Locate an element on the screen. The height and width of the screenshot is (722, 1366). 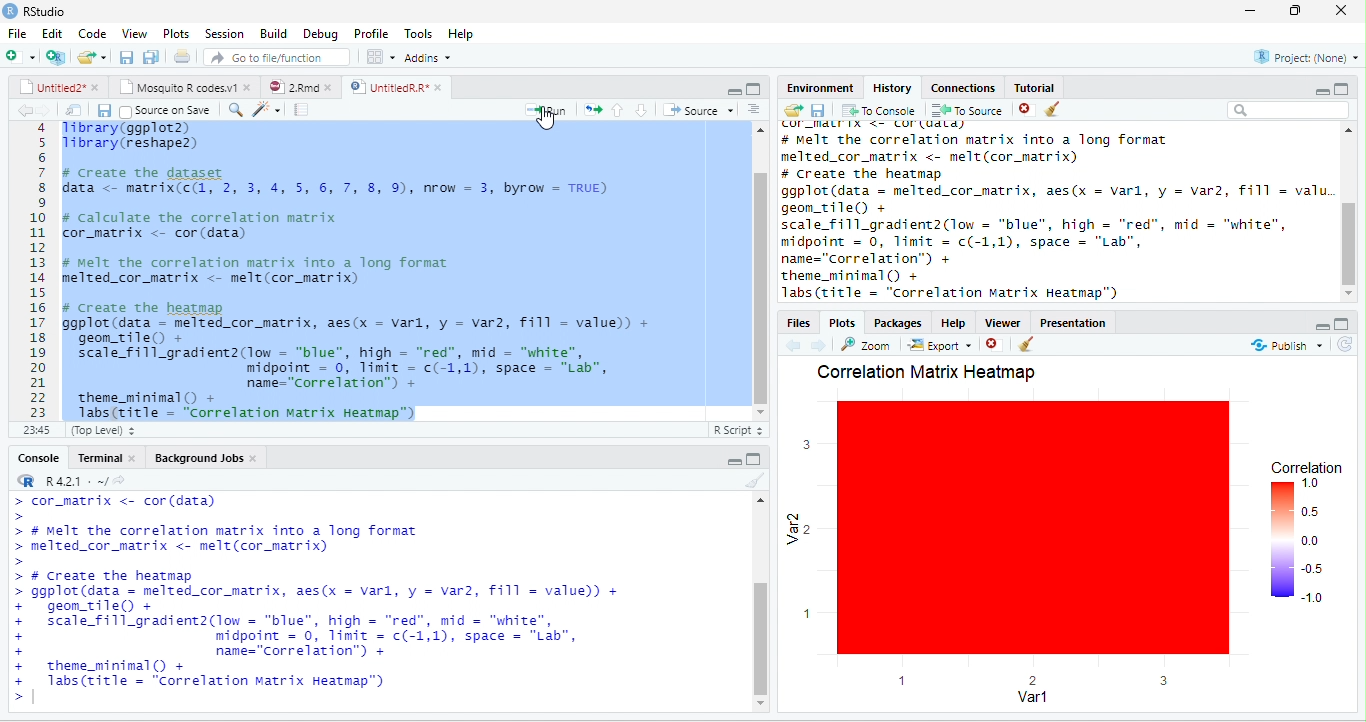
2Rnd is located at coordinates (295, 86).